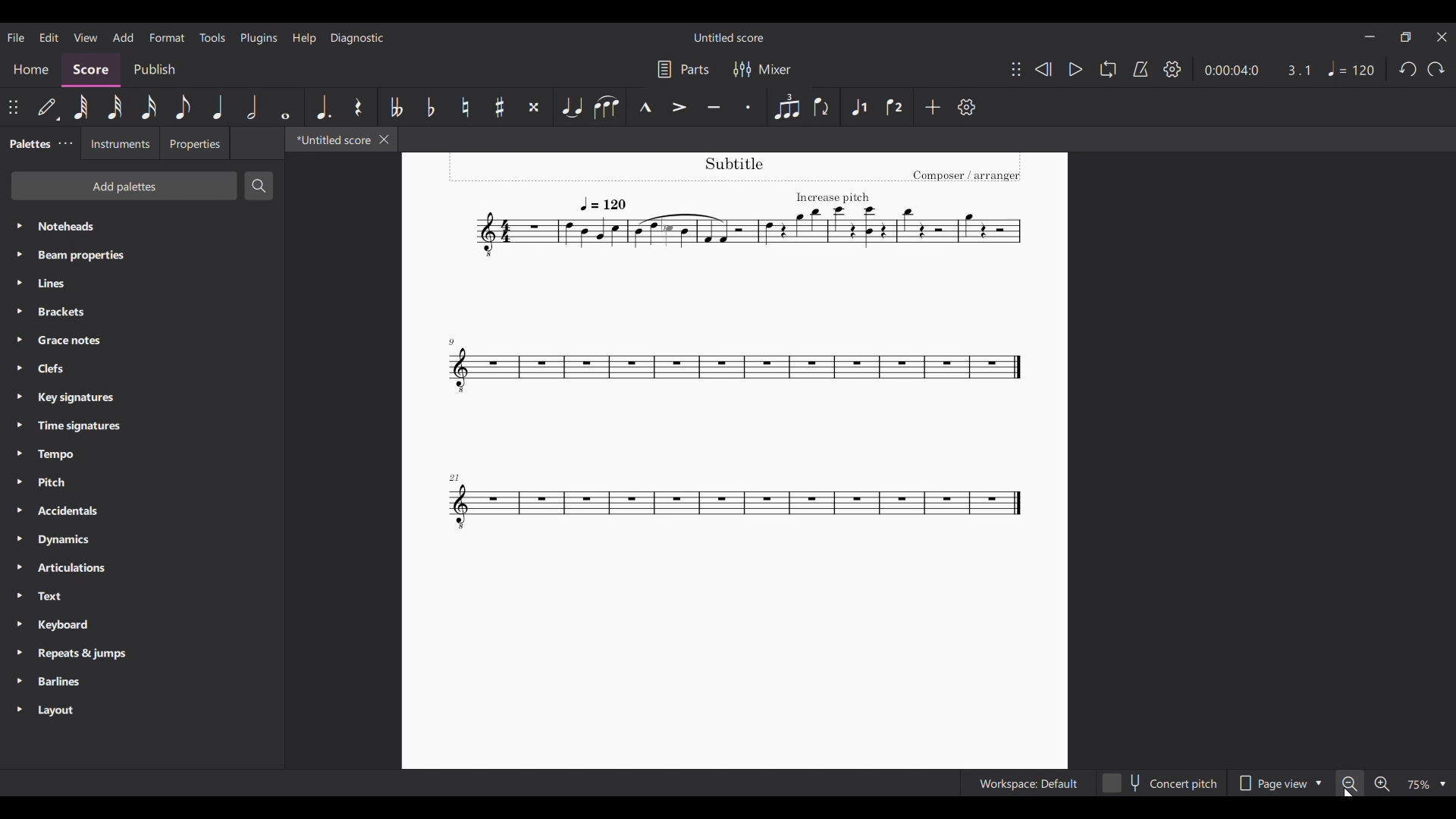  What do you see at coordinates (143, 653) in the screenshot?
I see `Repeats & jumps` at bounding box center [143, 653].